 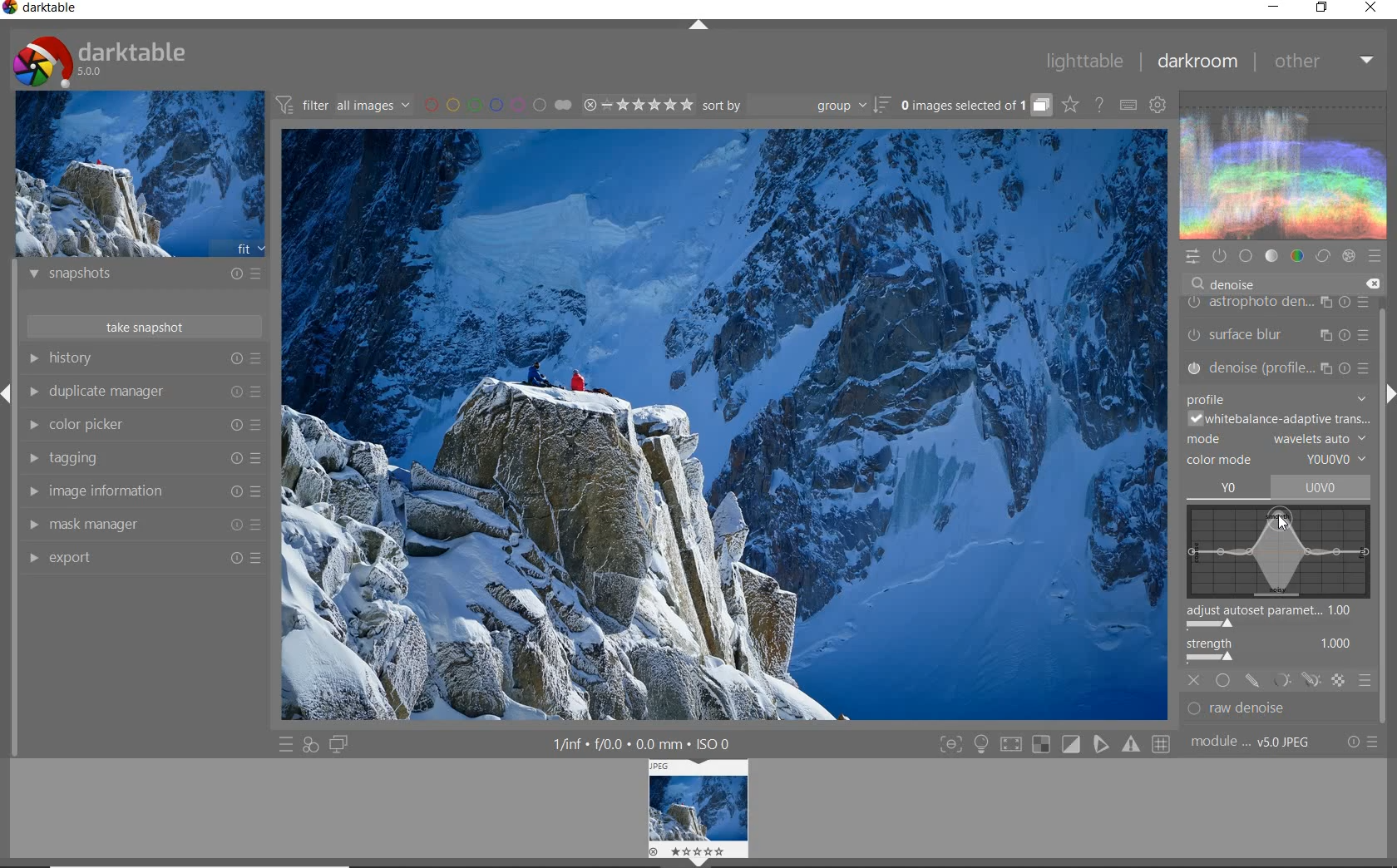 I want to click on COLOR MODE: YOUOVO, so click(x=1277, y=461).